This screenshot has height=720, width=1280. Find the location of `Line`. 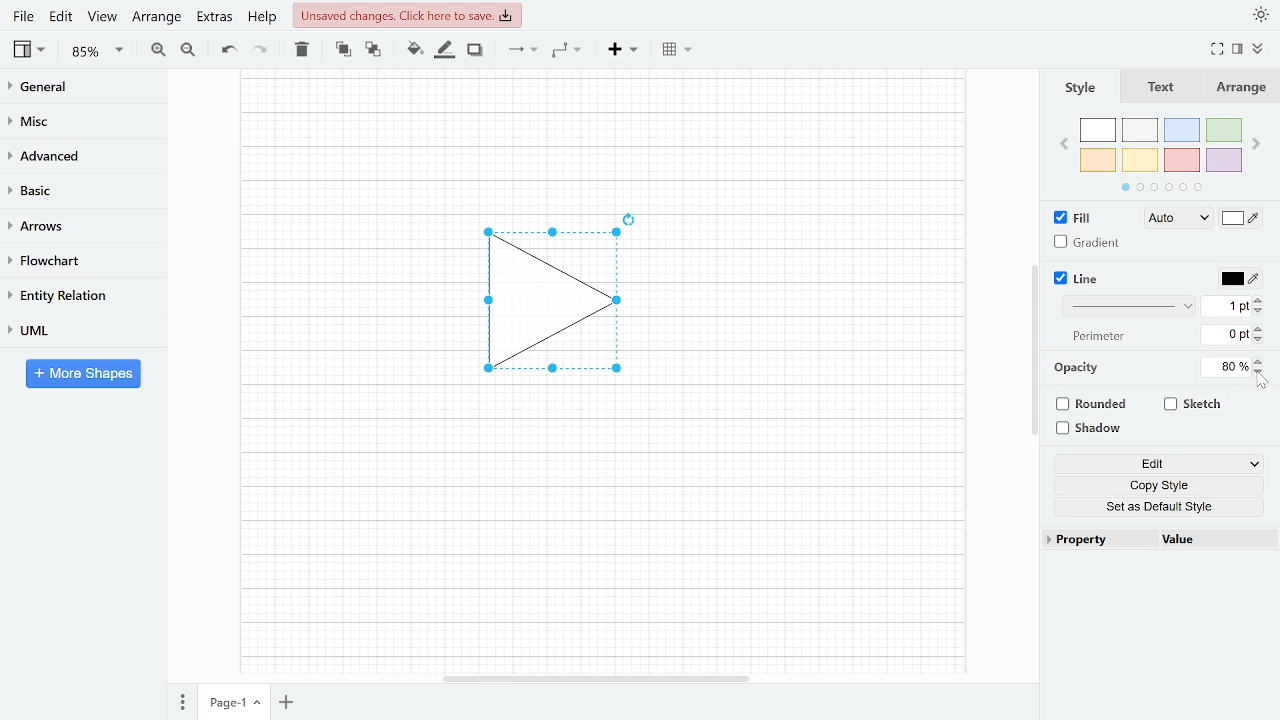

Line is located at coordinates (1078, 279).